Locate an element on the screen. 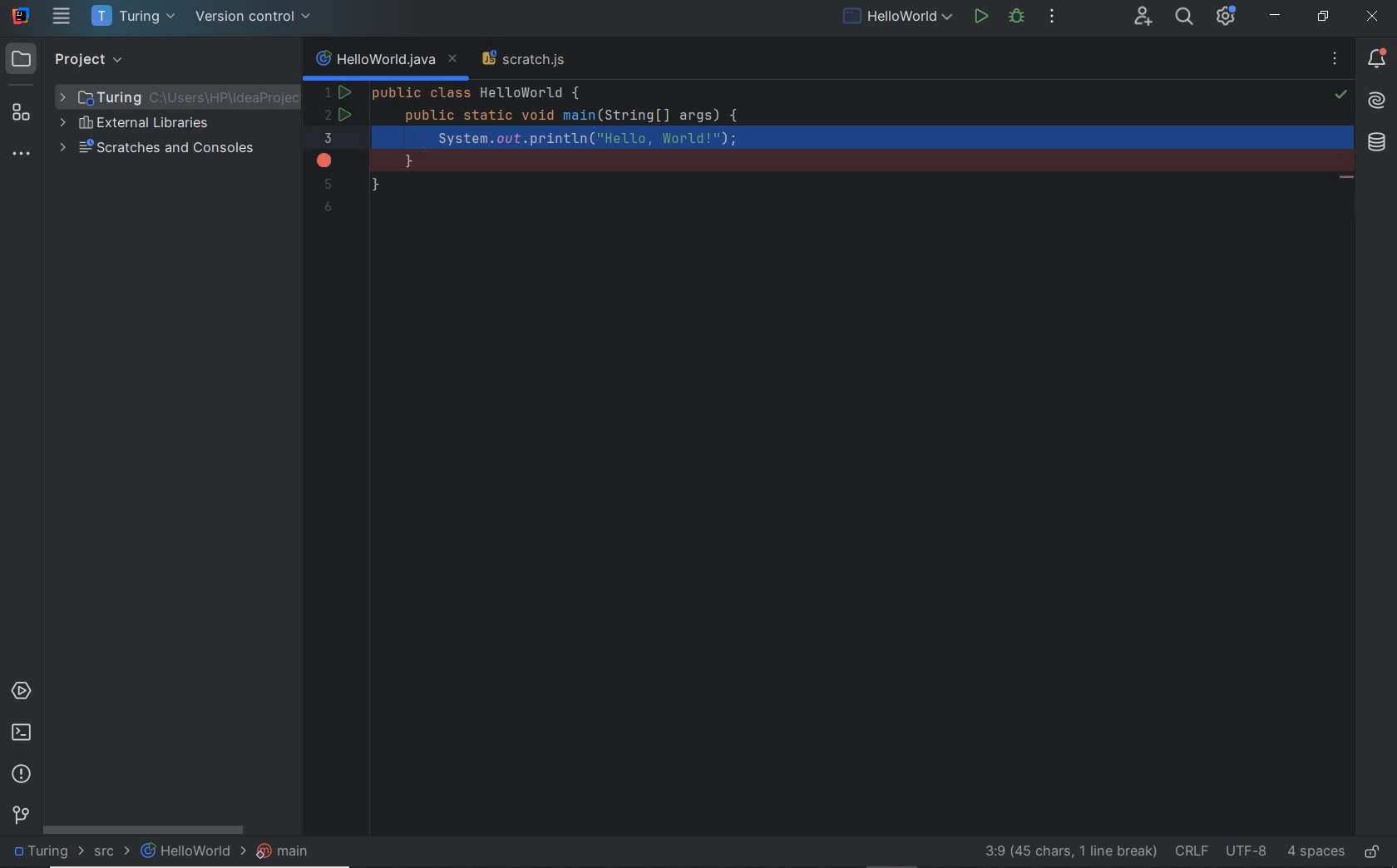 This screenshot has width=1397, height=868. go to line is located at coordinates (1069, 850).